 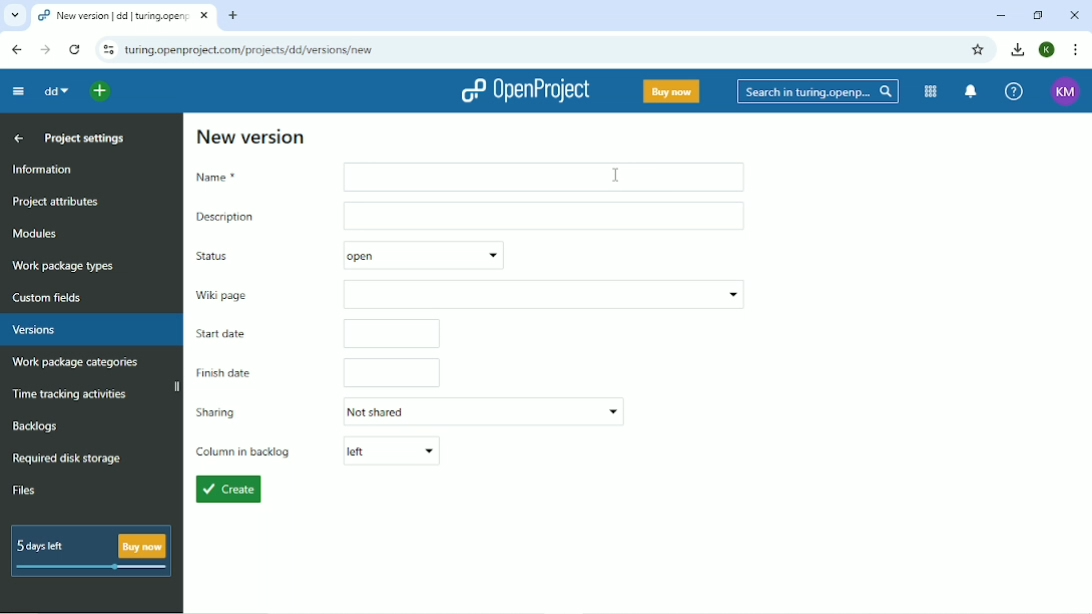 I want to click on cursor, so click(x=612, y=170).